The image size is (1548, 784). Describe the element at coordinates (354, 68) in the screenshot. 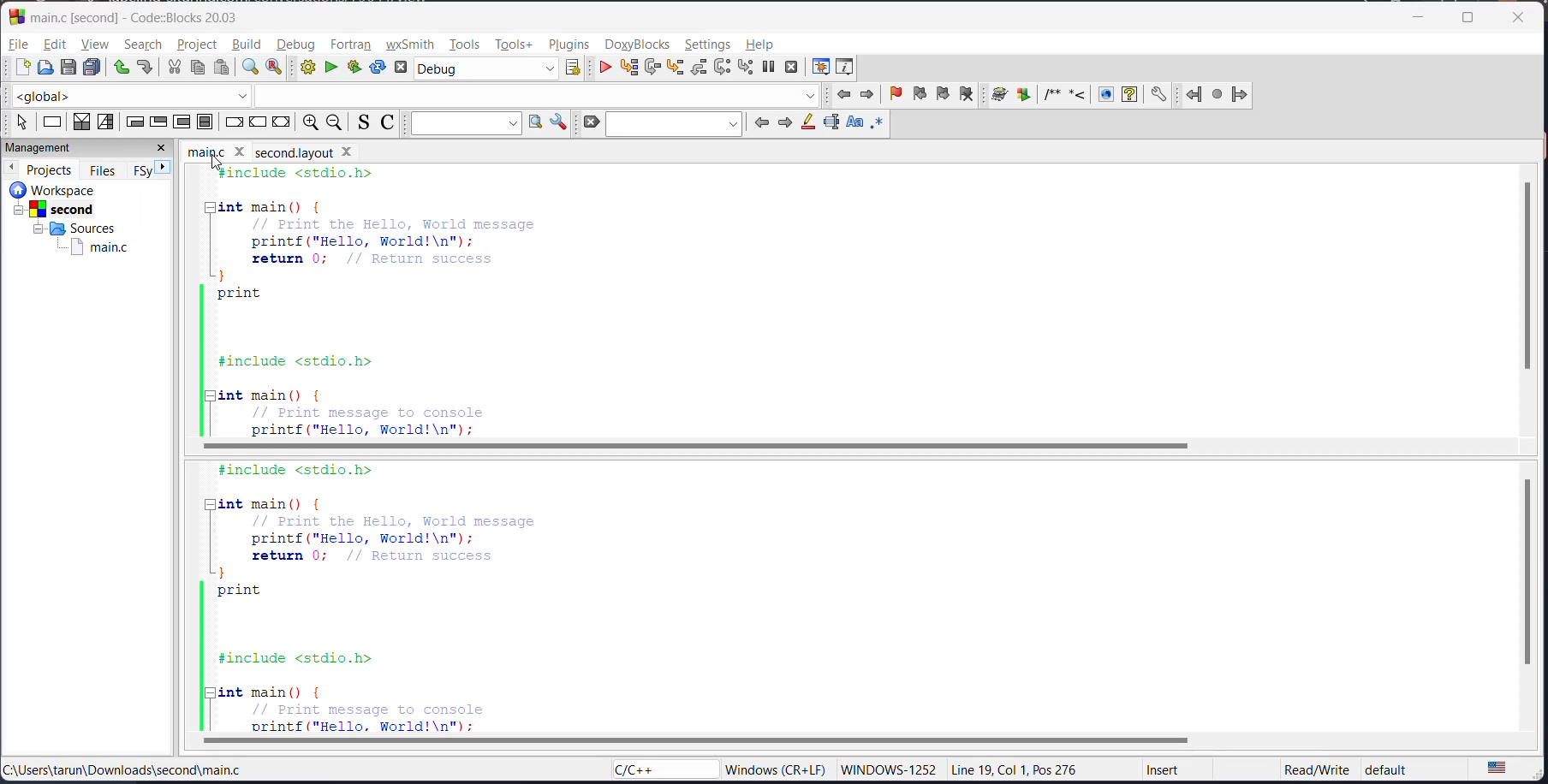

I see `build and run` at that location.